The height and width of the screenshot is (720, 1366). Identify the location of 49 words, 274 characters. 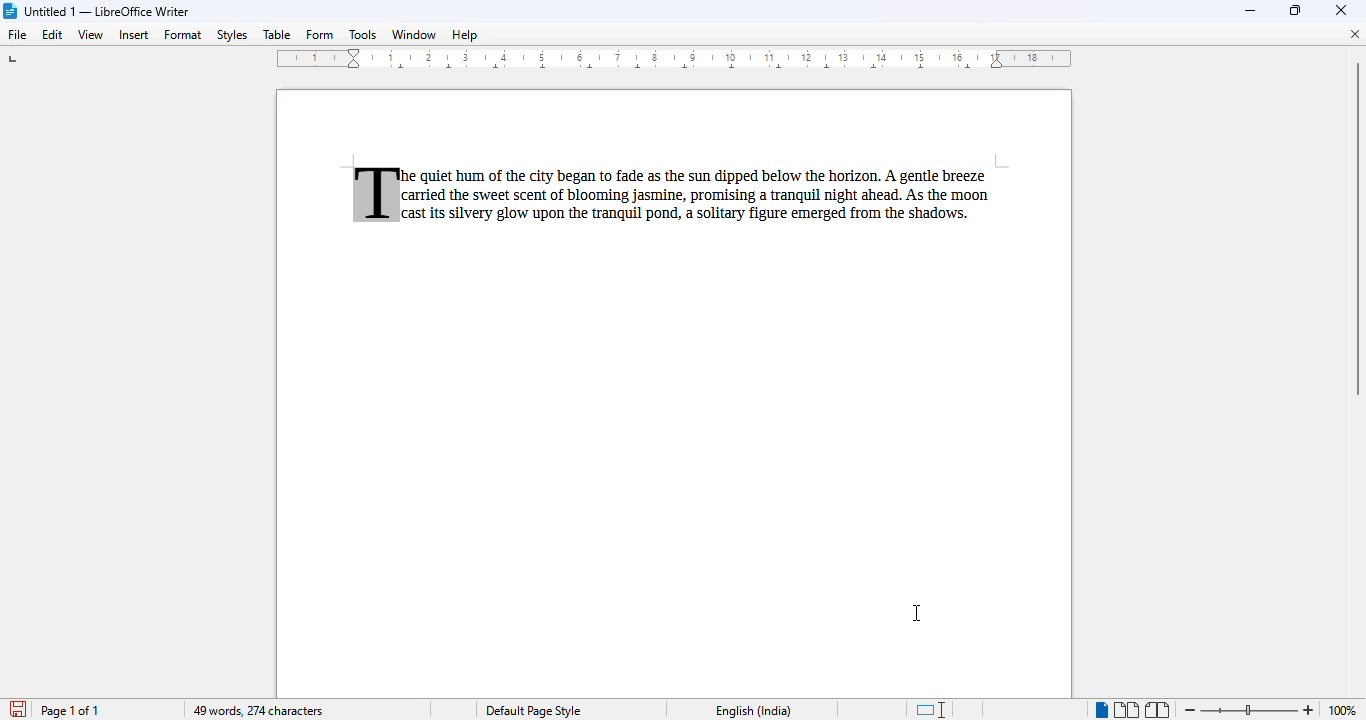
(257, 711).